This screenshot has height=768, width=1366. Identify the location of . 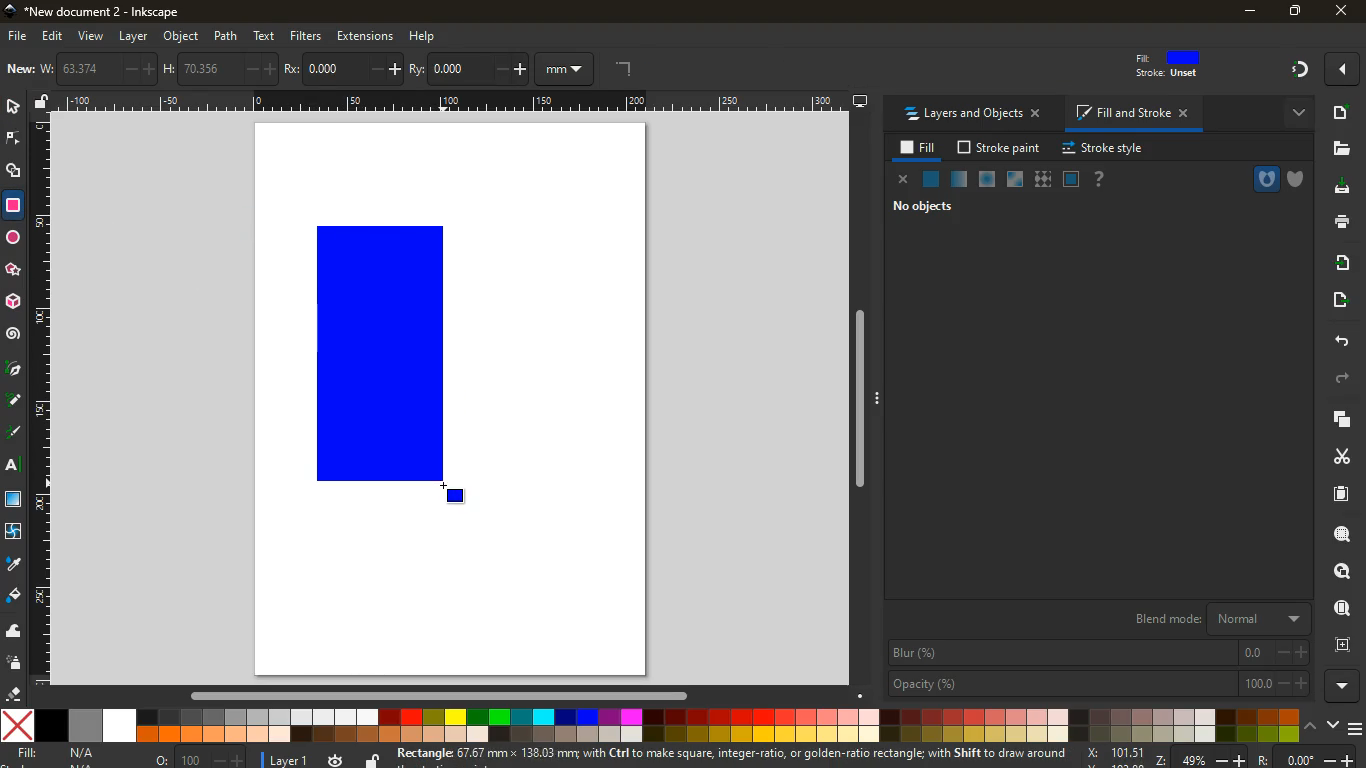
(1338, 71).